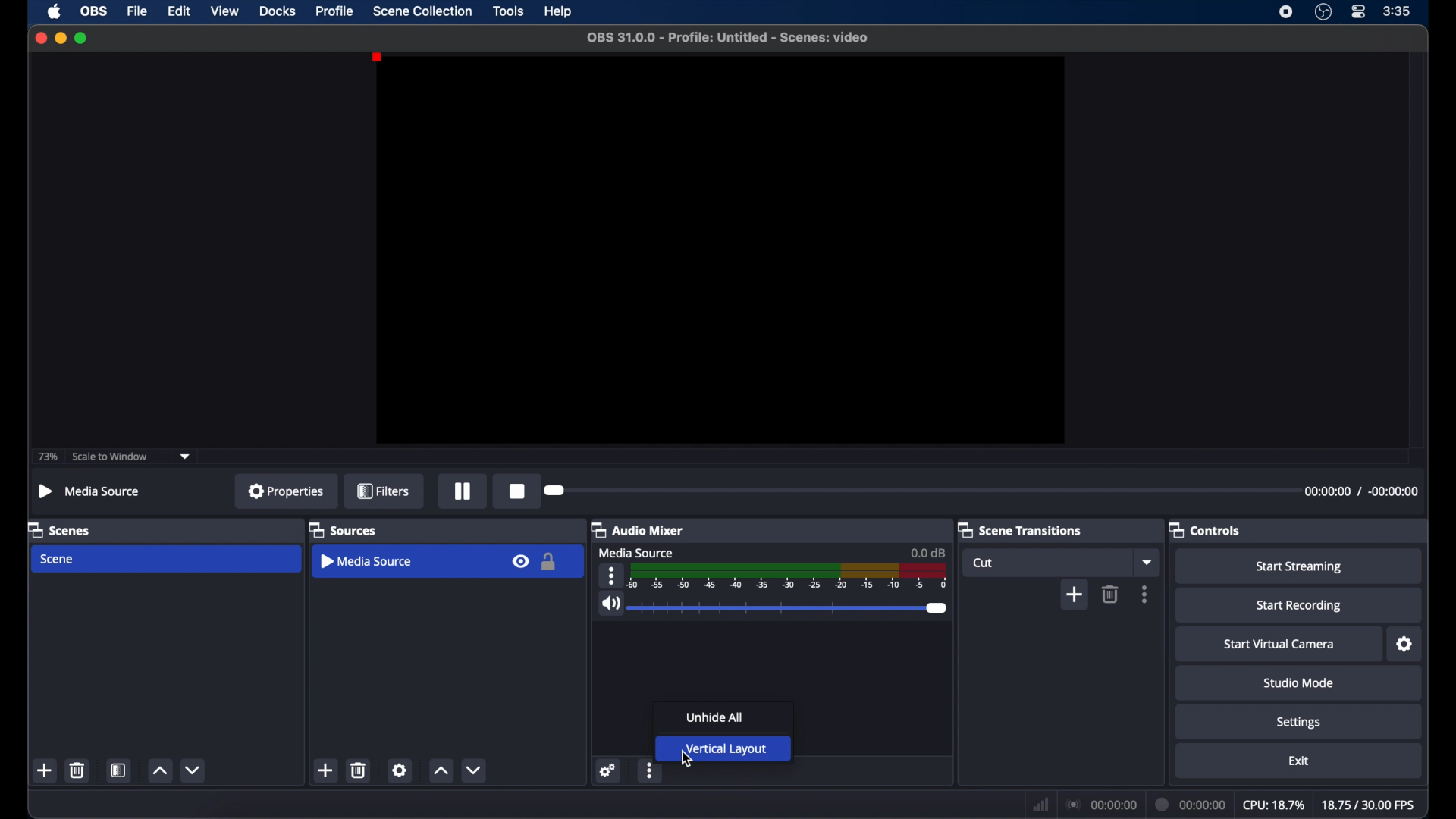 This screenshot has height=819, width=1456. What do you see at coordinates (569, 489) in the screenshot?
I see `Seeker` at bounding box center [569, 489].